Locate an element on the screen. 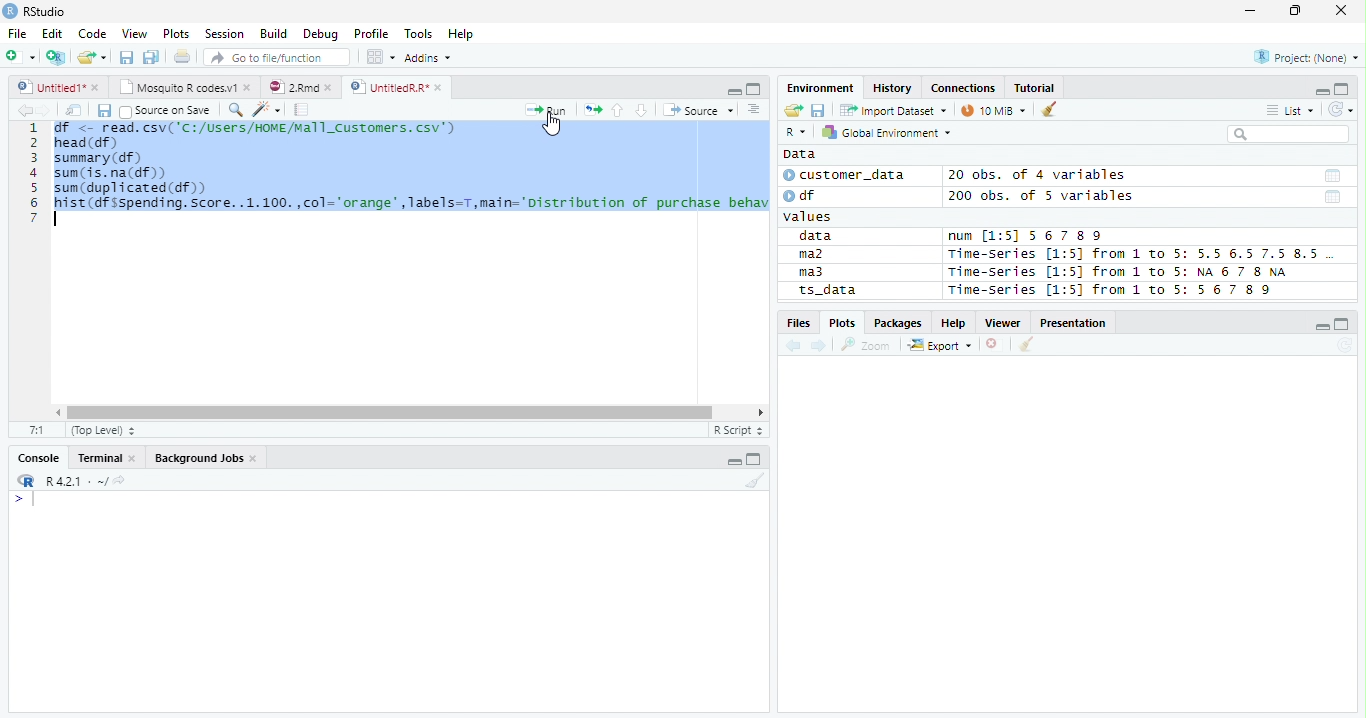 The width and height of the screenshot is (1366, 718). Presentation is located at coordinates (1076, 323).